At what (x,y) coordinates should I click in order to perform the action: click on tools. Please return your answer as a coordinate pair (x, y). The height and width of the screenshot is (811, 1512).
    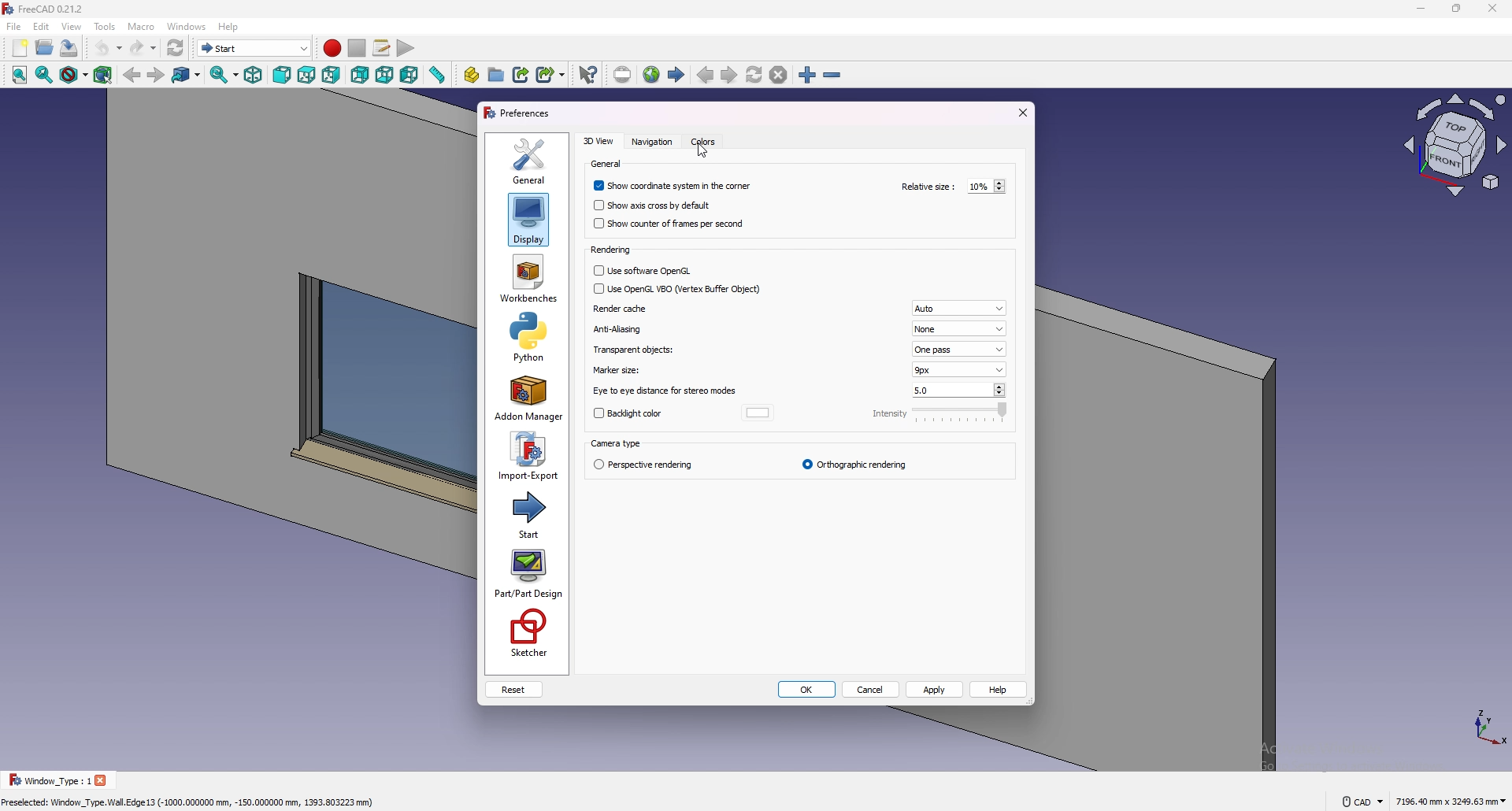
    Looking at the image, I should click on (105, 26).